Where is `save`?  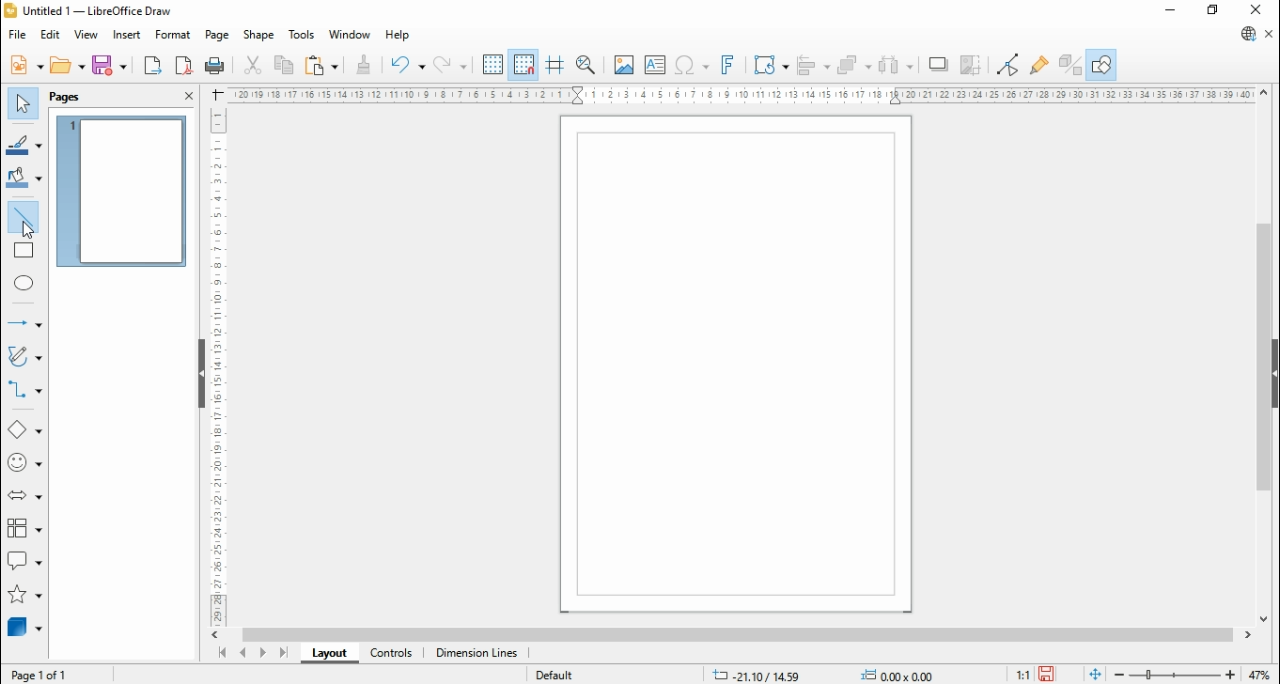 save is located at coordinates (1047, 674).